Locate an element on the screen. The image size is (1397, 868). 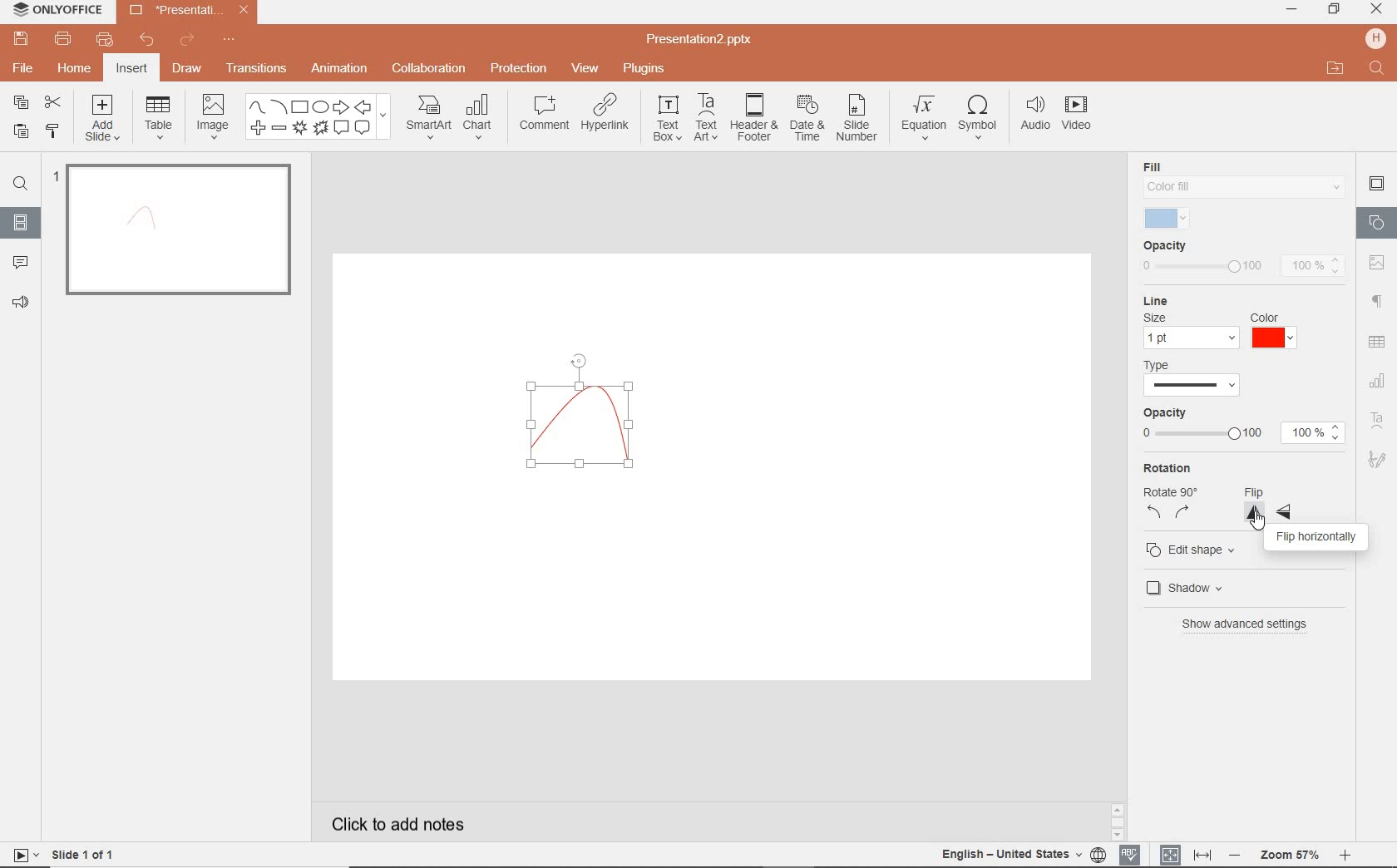
CHART SETTINGS is located at coordinates (1380, 379).